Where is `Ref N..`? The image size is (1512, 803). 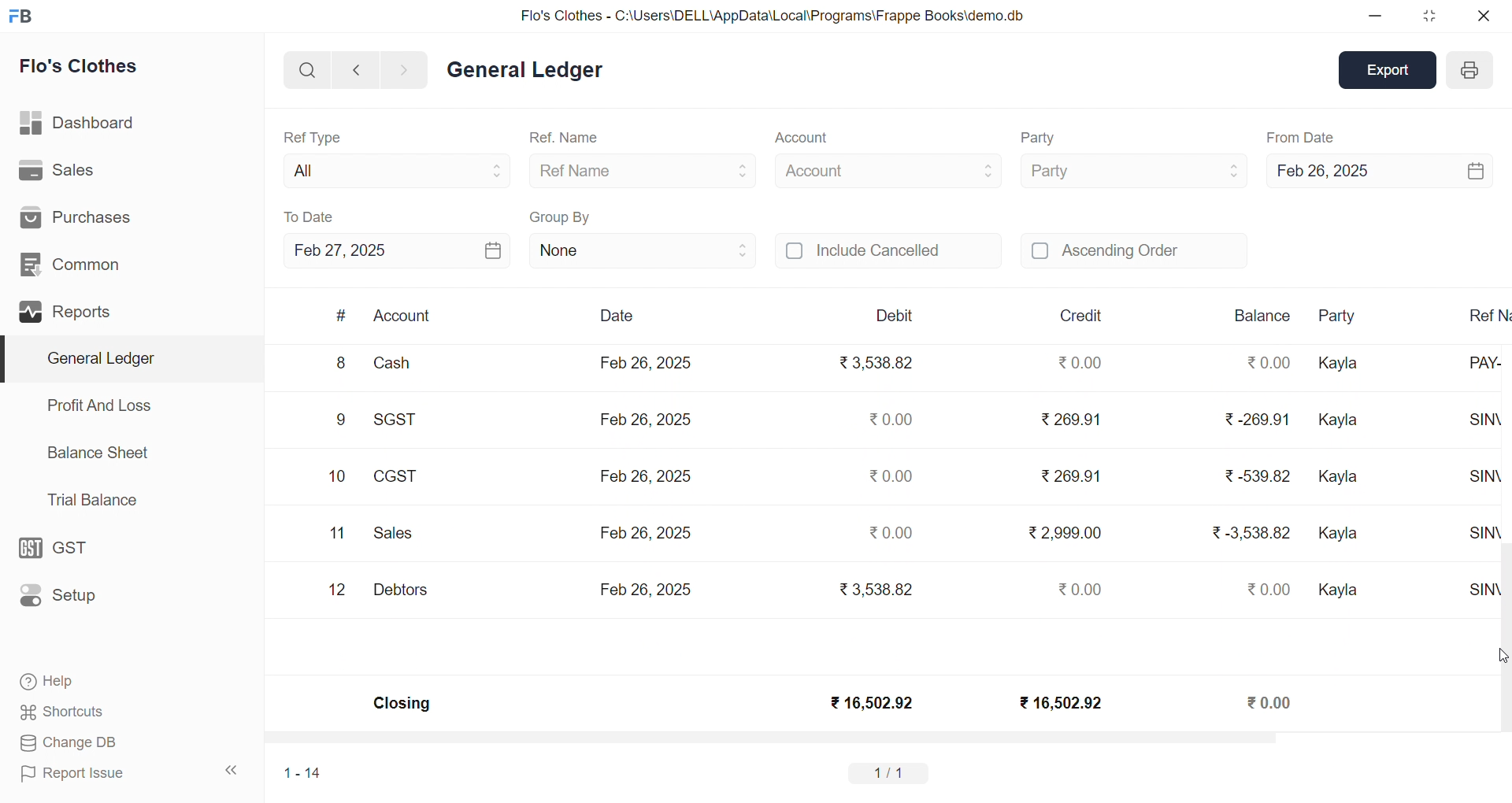 Ref N.. is located at coordinates (1488, 314).